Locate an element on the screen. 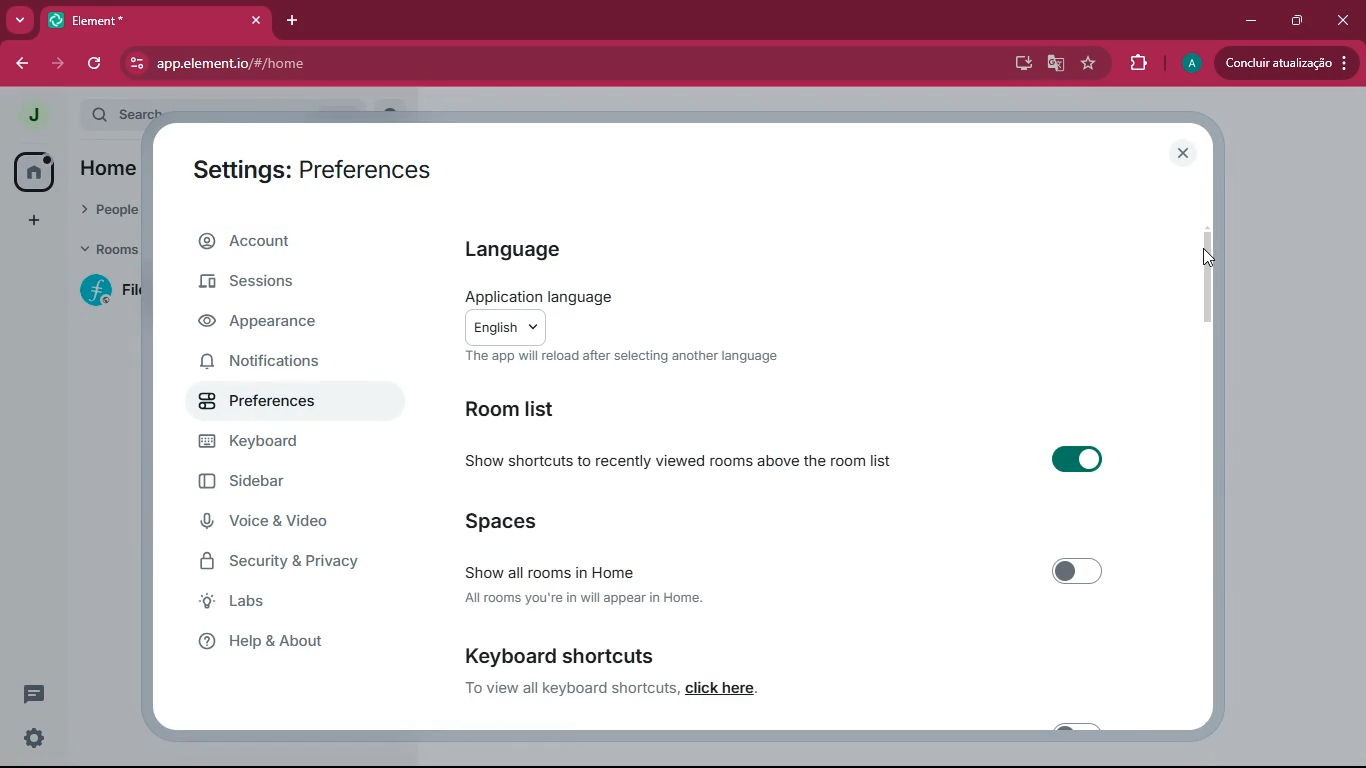 Image resolution: width=1366 pixels, height=768 pixels. comments is located at coordinates (35, 686).